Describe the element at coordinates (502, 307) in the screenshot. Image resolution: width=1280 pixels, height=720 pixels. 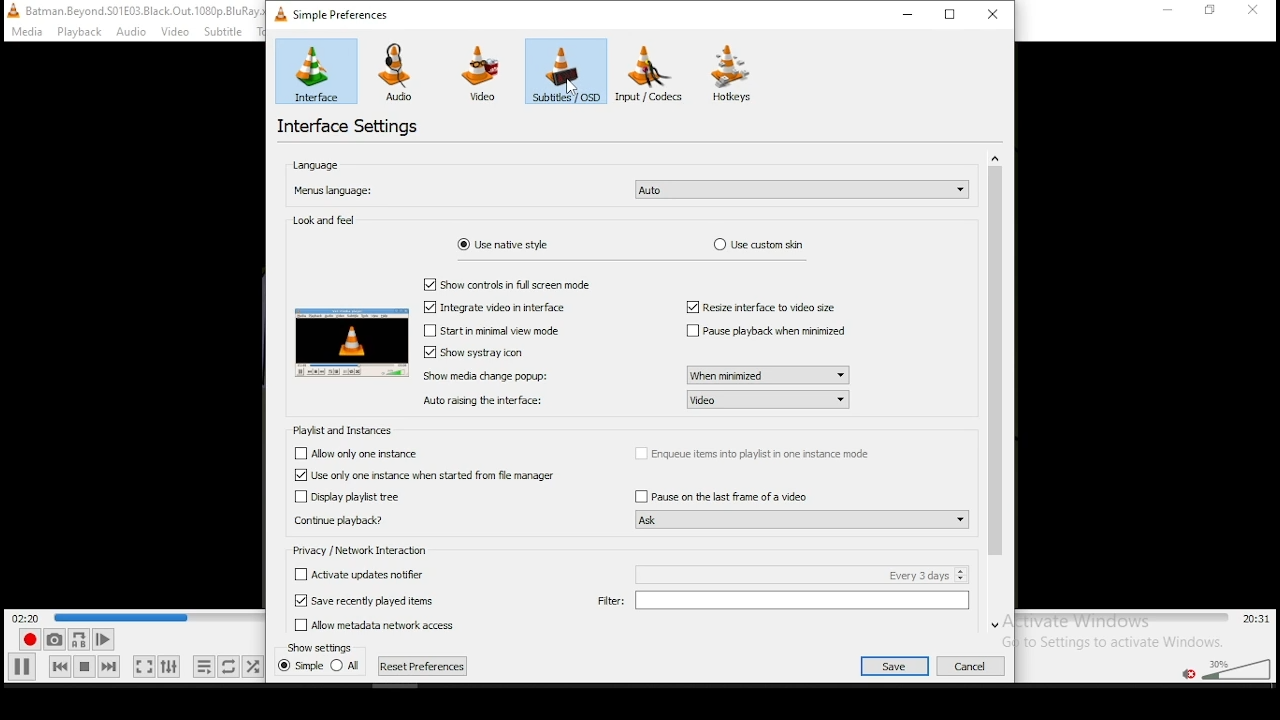
I see `checkbox: integrate video in interface` at that location.